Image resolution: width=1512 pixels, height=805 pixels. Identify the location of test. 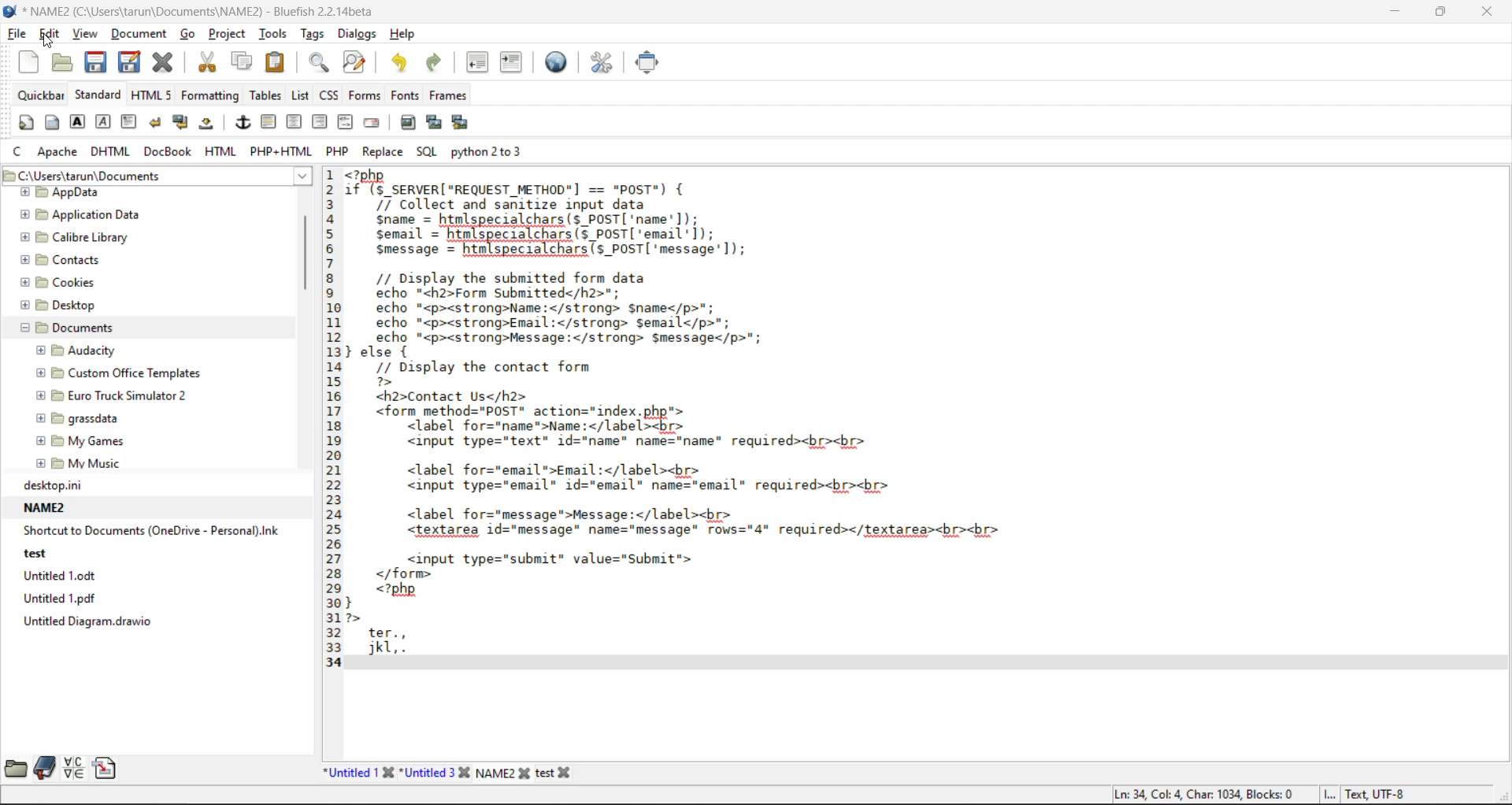
(36, 553).